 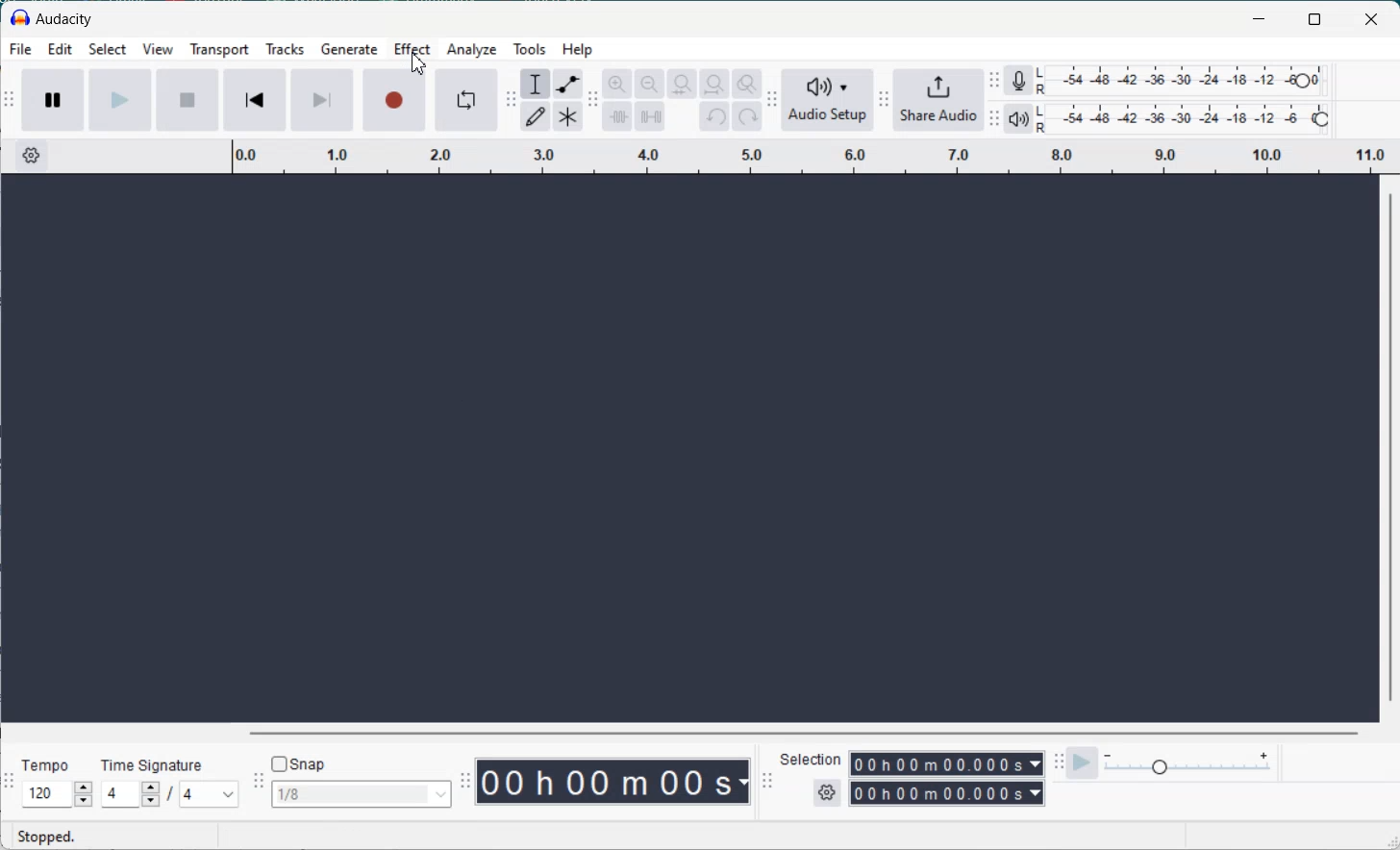 I want to click on Playback speed, so click(x=1191, y=762).